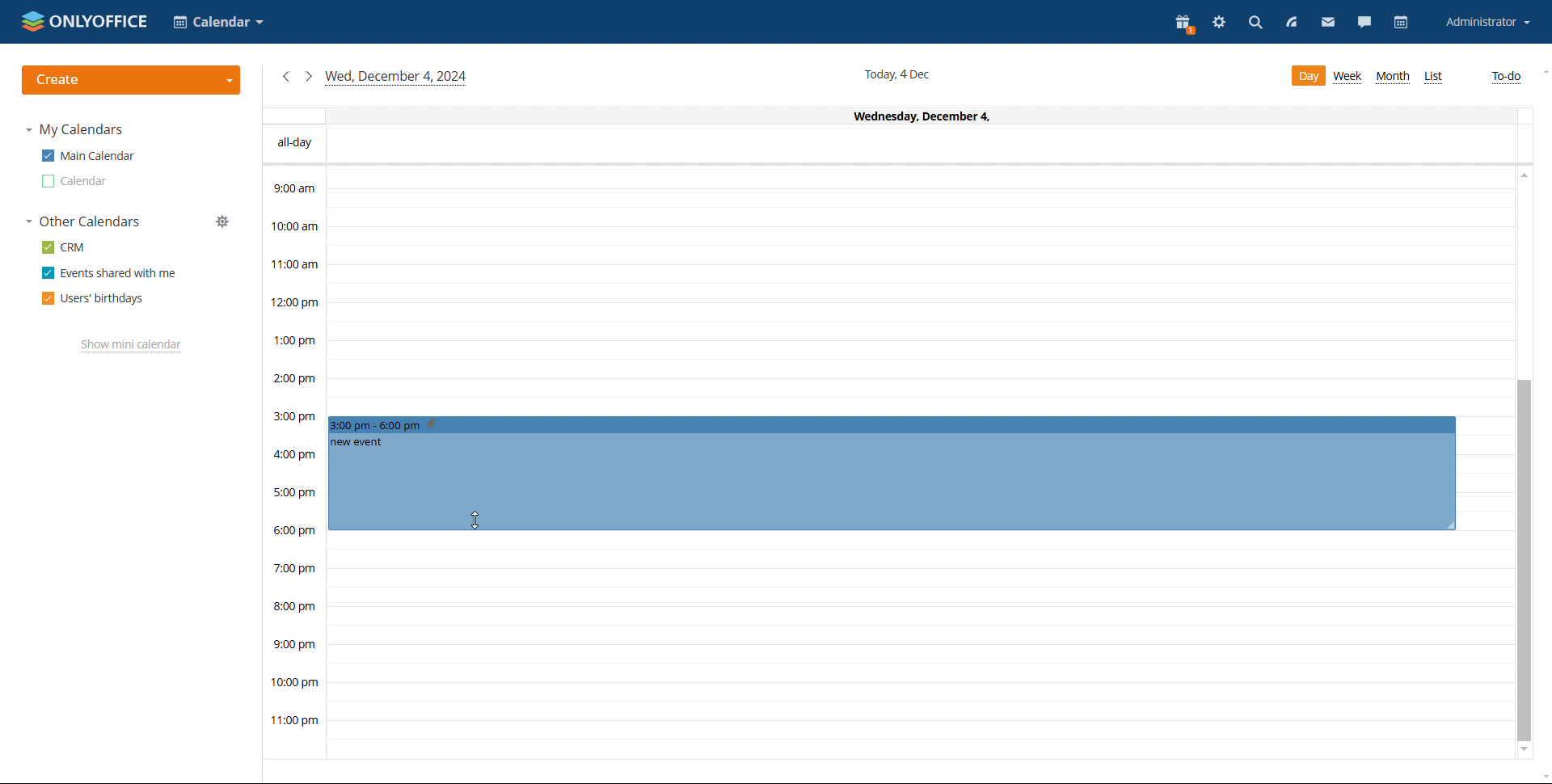 This screenshot has width=1552, height=784. Describe the element at coordinates (217, 22) in the screenshot. I see `select application` at that location.